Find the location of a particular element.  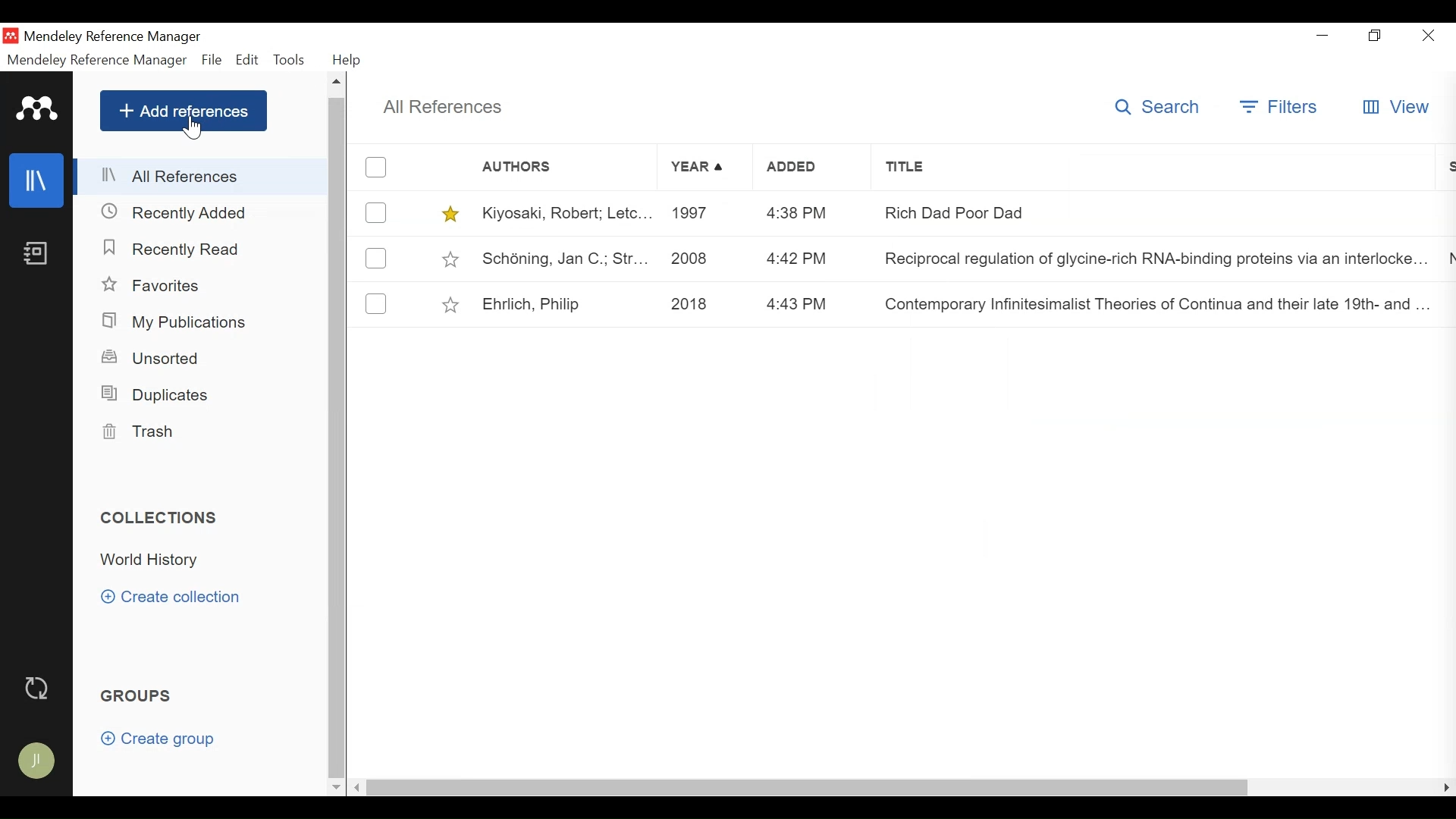

4:38 PM is located at coordinates (811, 211).